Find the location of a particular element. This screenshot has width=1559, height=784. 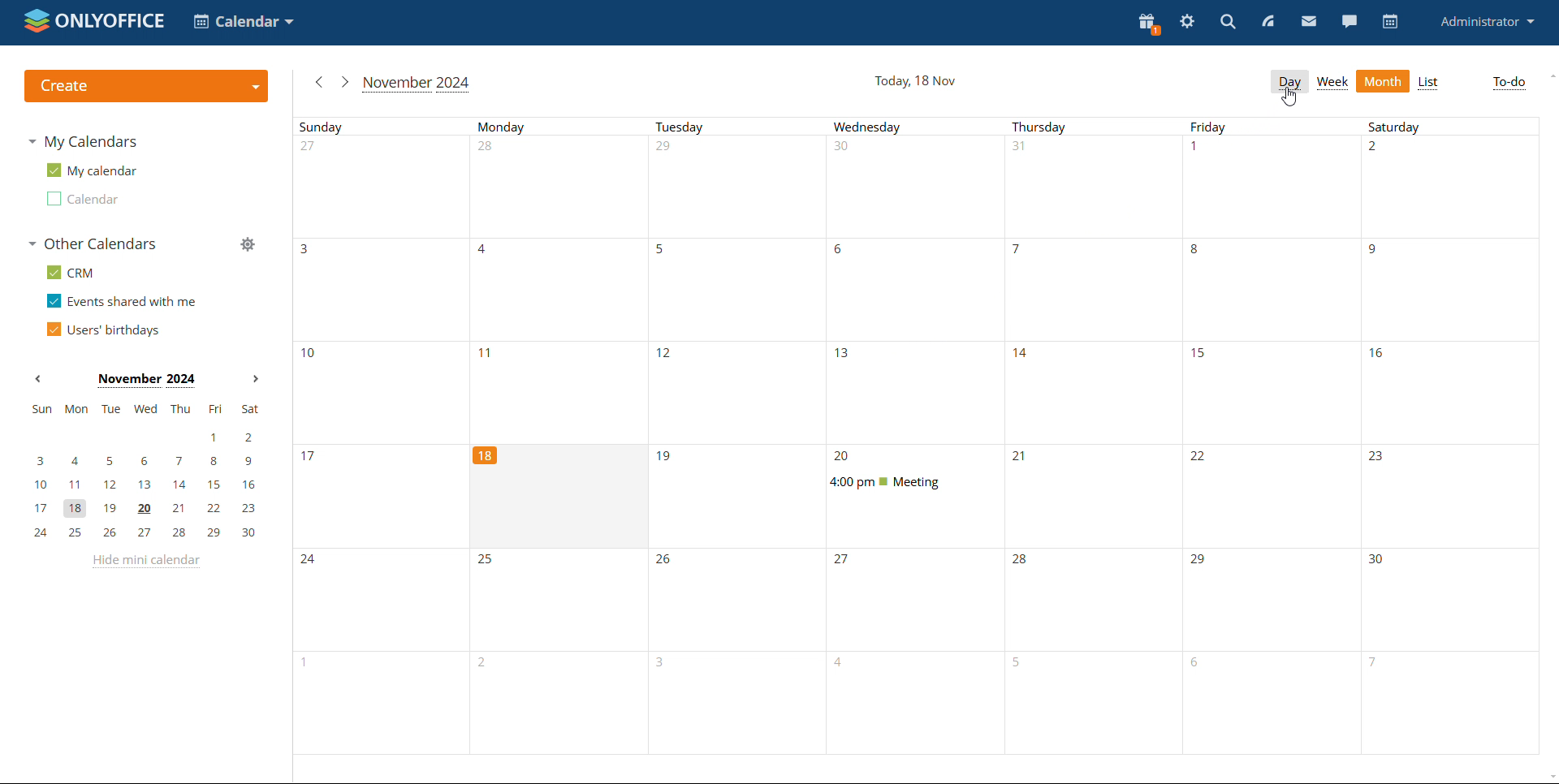

feed is located at coordinates (1268, 21).